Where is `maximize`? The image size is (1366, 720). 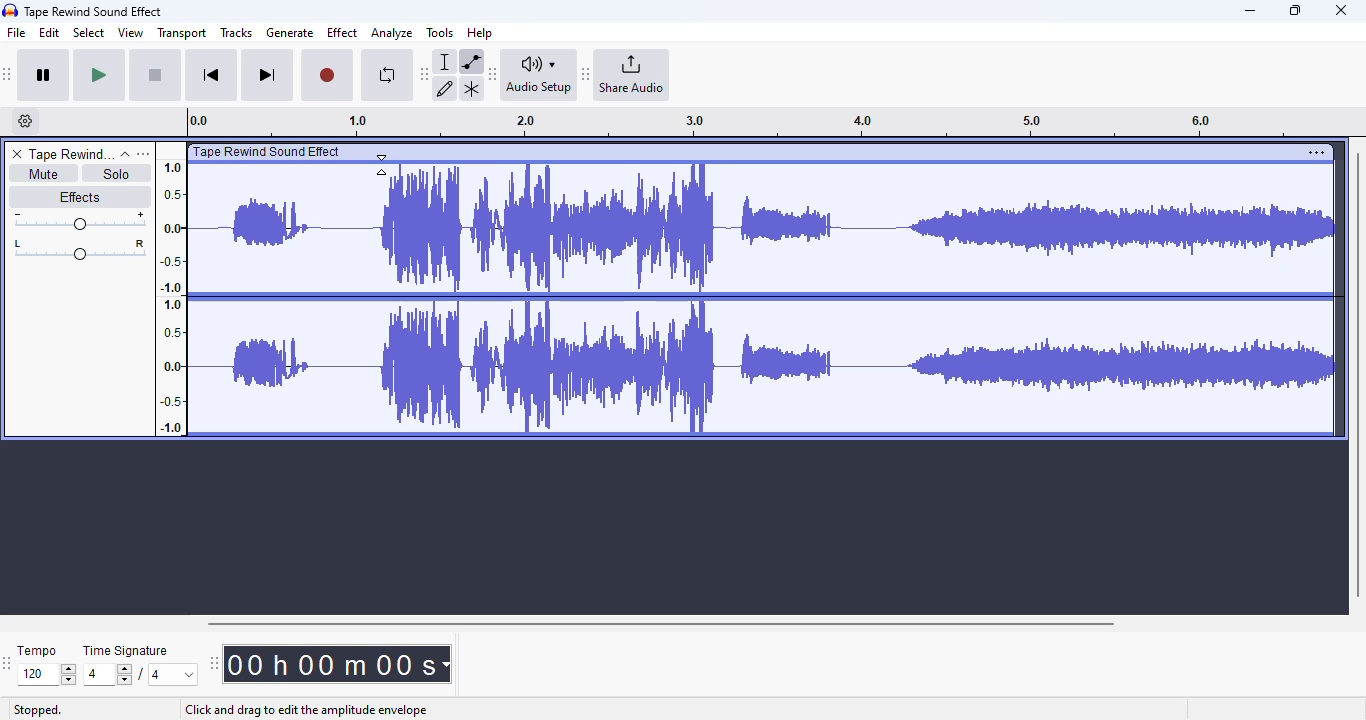 maximize is located at coordinates (1295, 10).